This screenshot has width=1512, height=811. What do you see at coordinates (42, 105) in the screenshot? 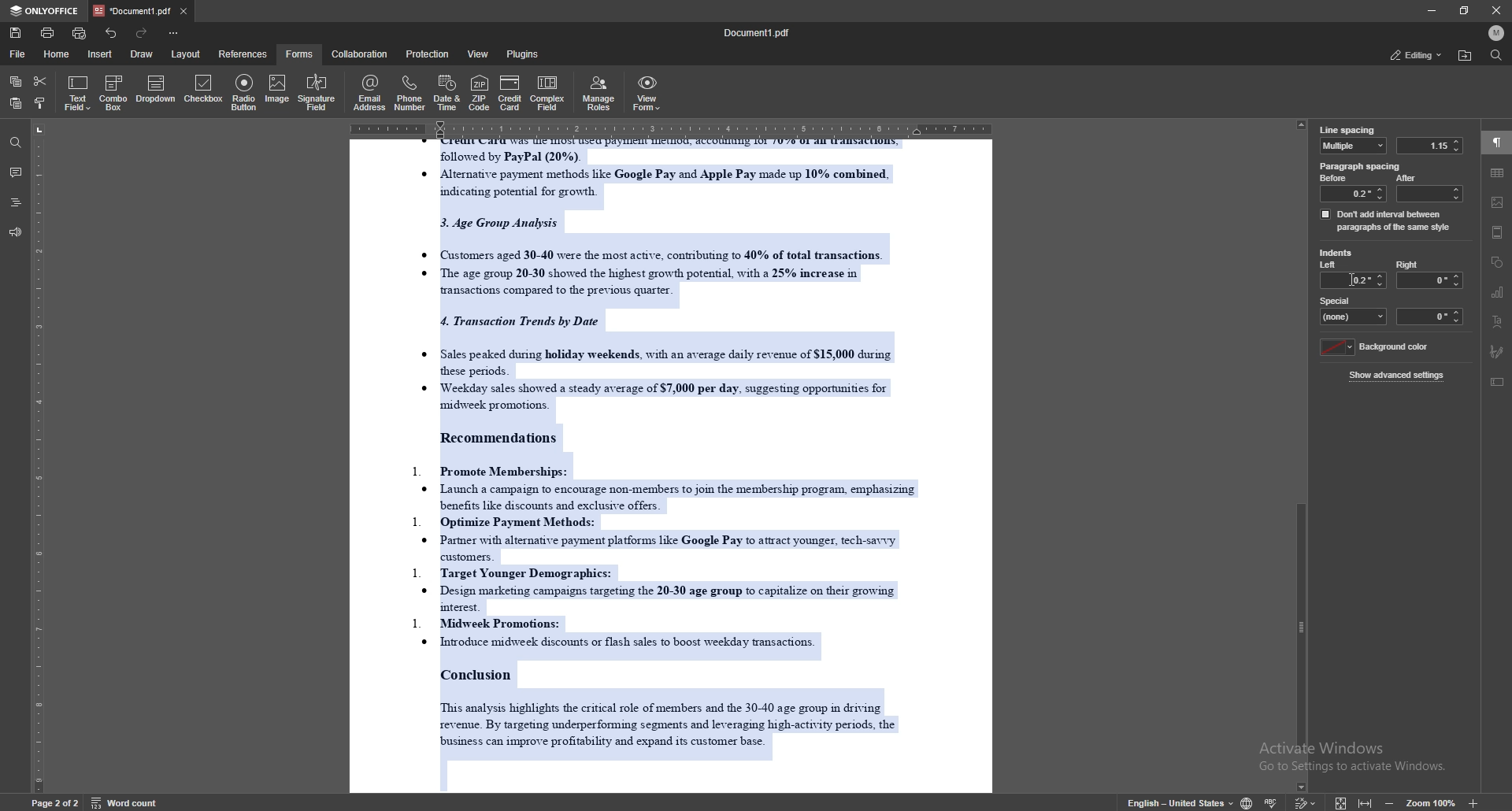
I see `copy style` at bounding box center [42, 105].